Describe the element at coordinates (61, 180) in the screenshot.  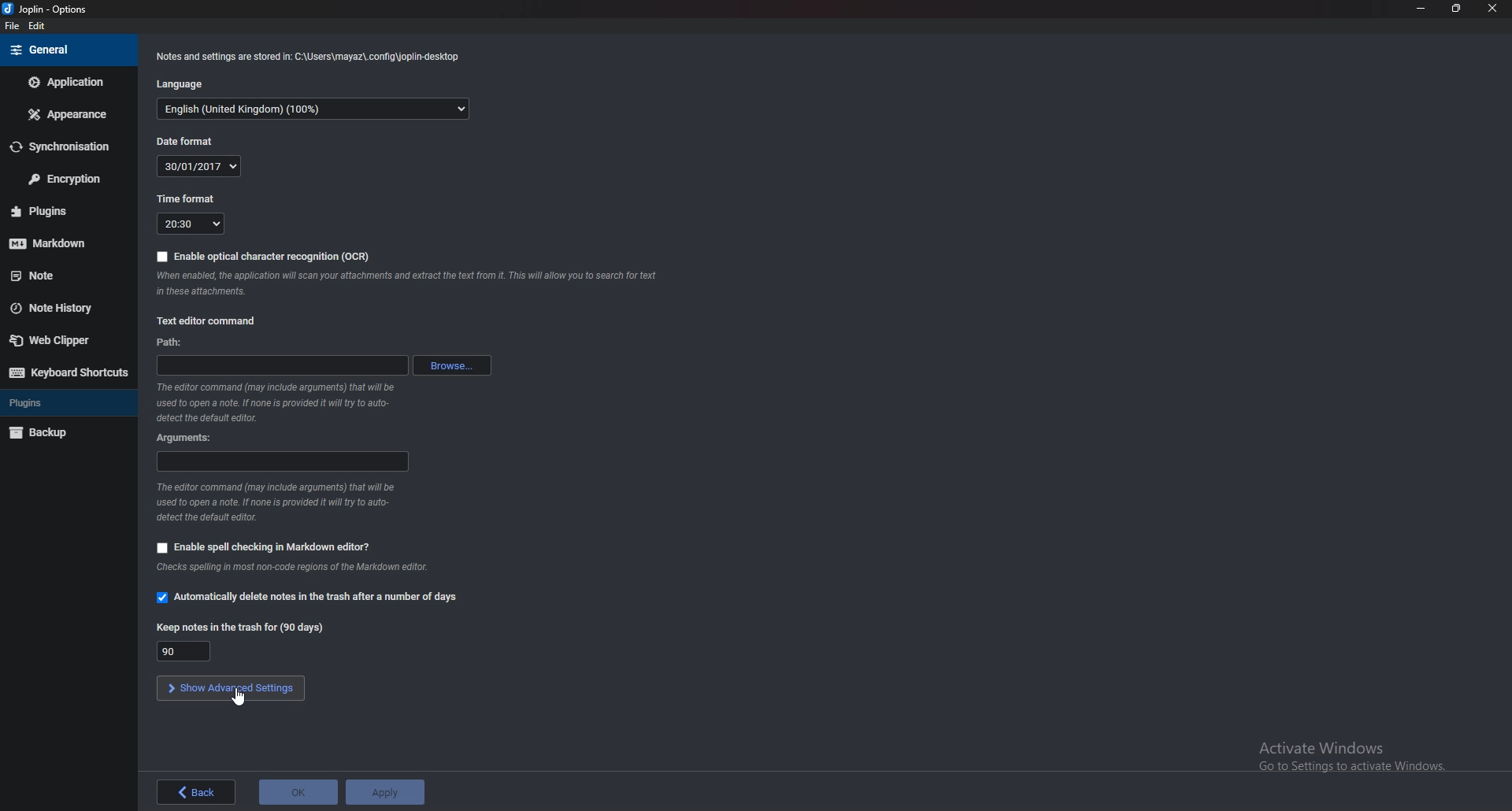
I see `Encryption` at that location.